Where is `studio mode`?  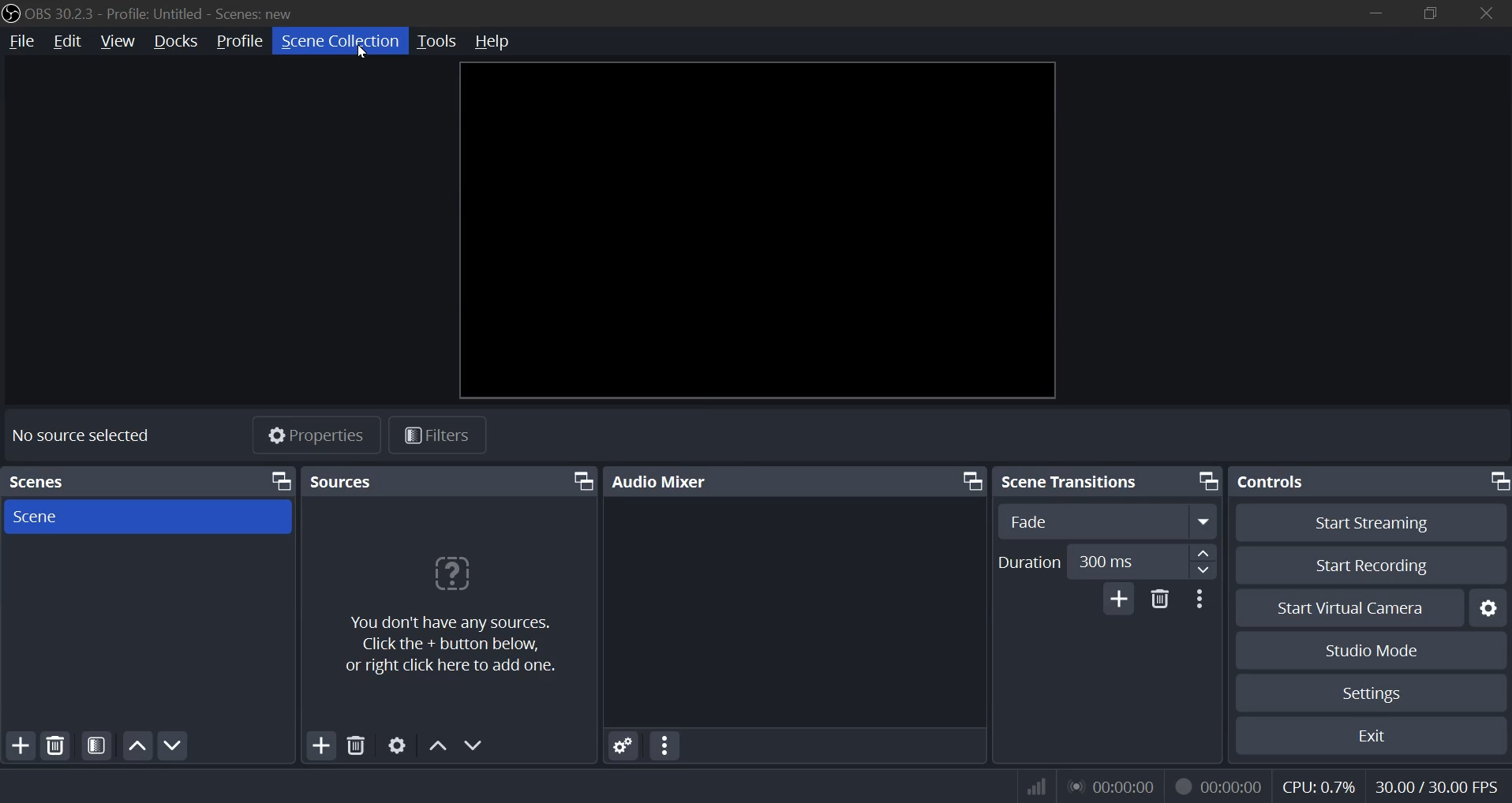
studio mode is located at coordinates (1374, 652).